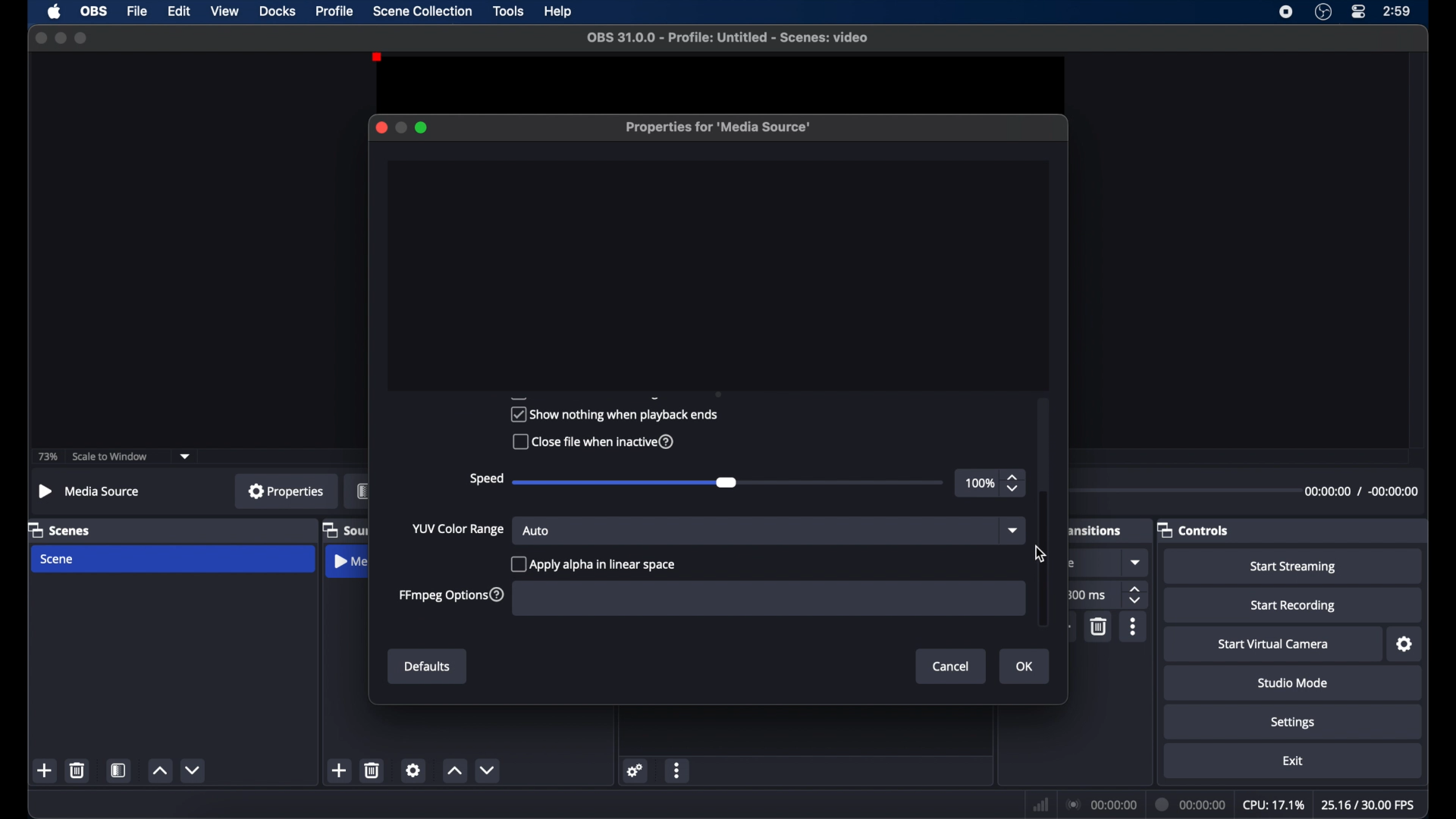  Describe the element at coordinates (81, 38) in the screenshot. I see `maximize` at that location.